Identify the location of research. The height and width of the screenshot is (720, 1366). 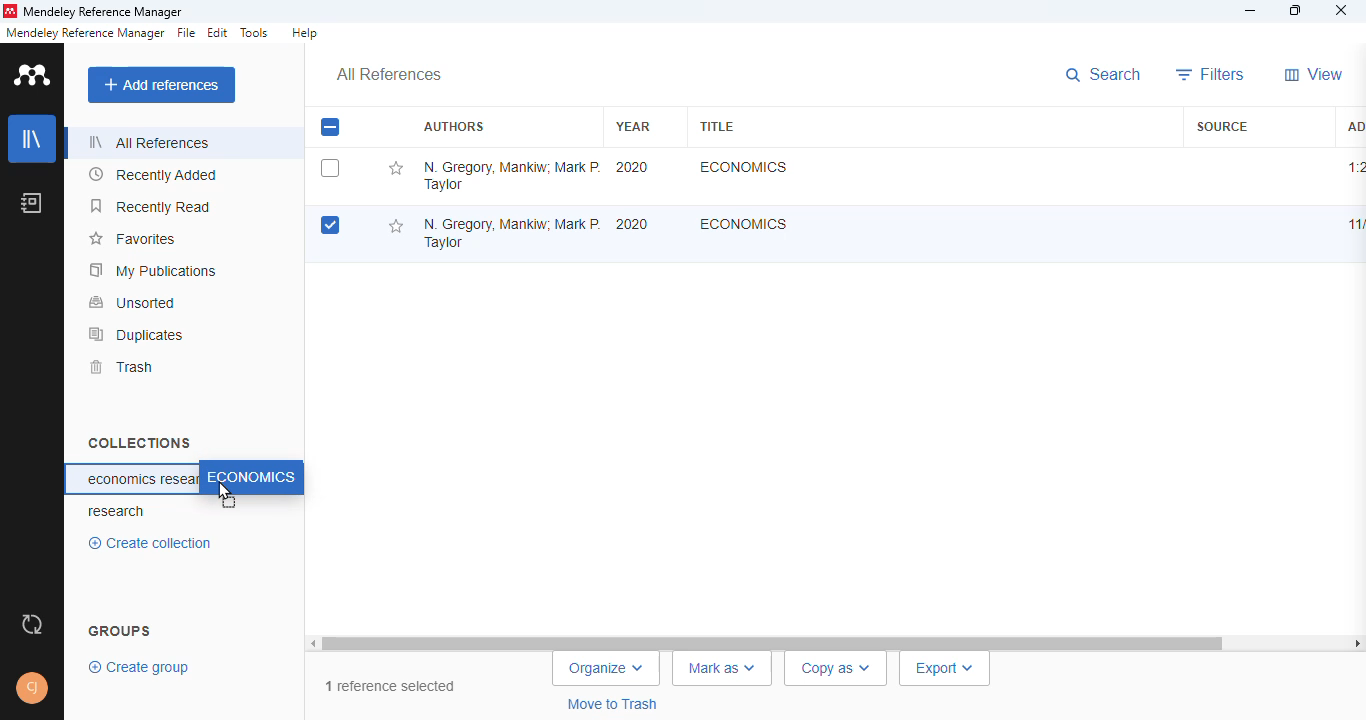
(117, 512).